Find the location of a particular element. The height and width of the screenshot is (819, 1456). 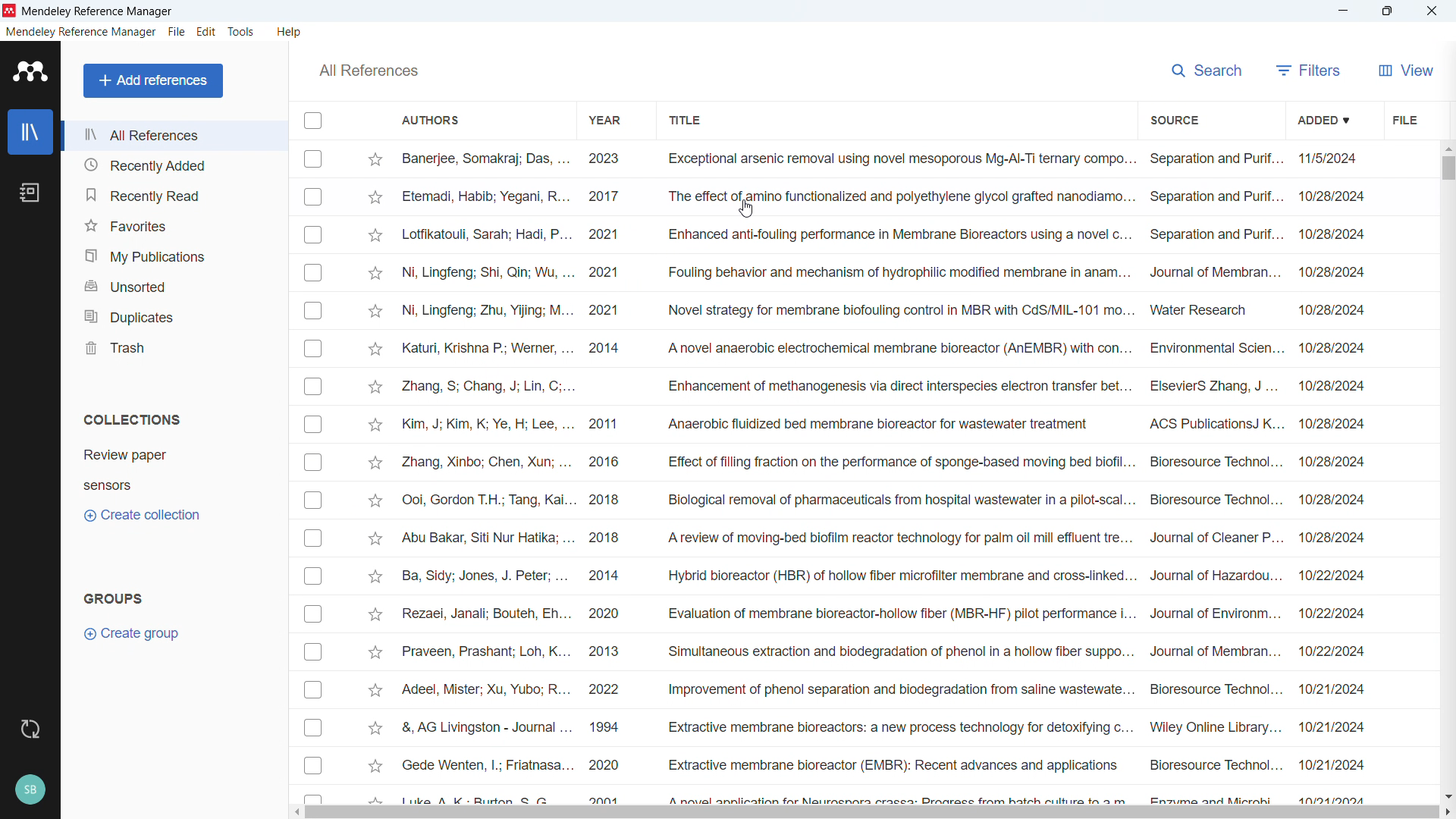

year of publication of individual entries is located at coordinates (605, 475).